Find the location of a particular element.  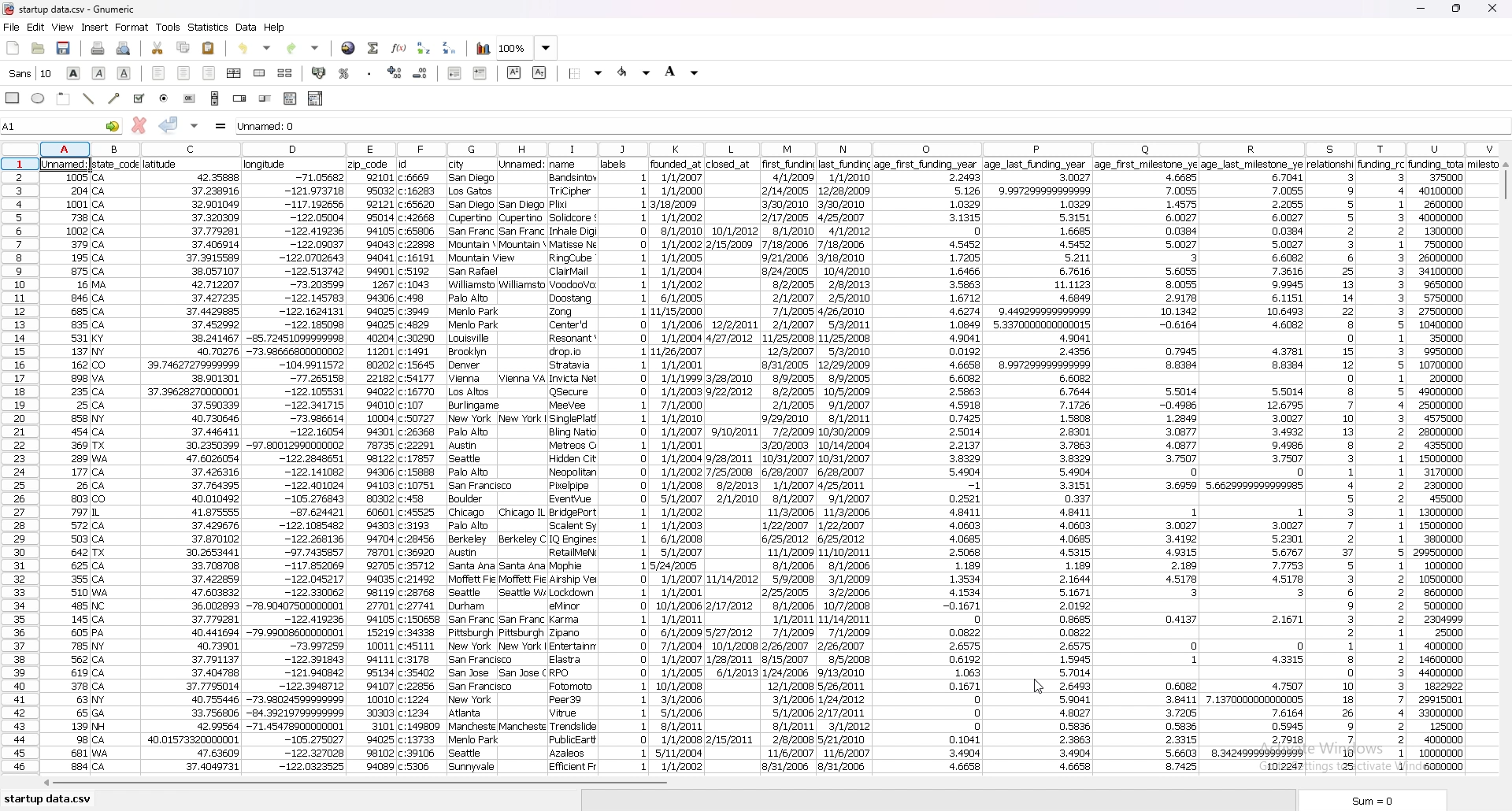

Unnamed : 0 is located at coordinates (854, 124).